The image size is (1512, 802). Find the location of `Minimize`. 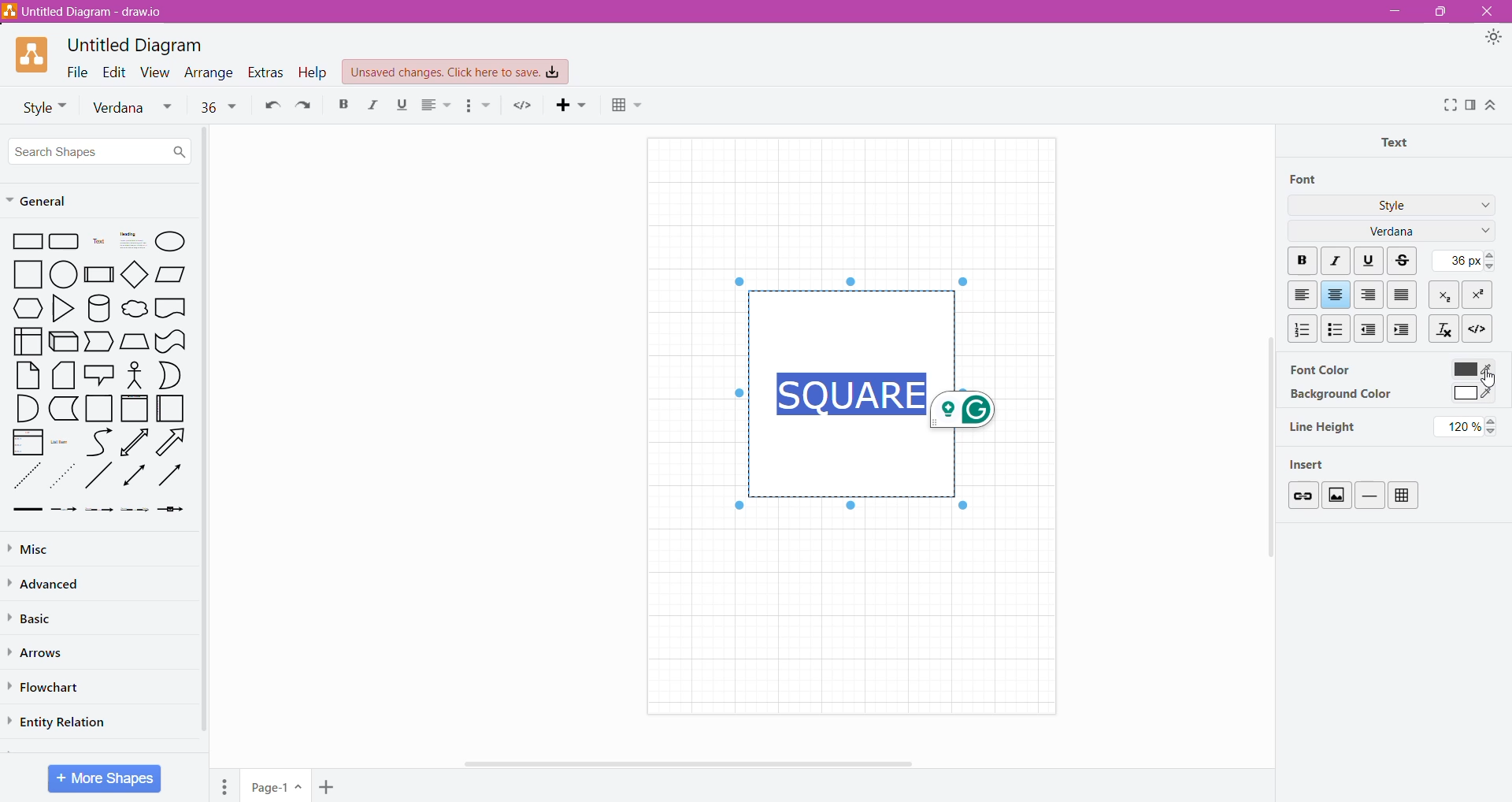

Minimize is located at coordinates (1395, 10).